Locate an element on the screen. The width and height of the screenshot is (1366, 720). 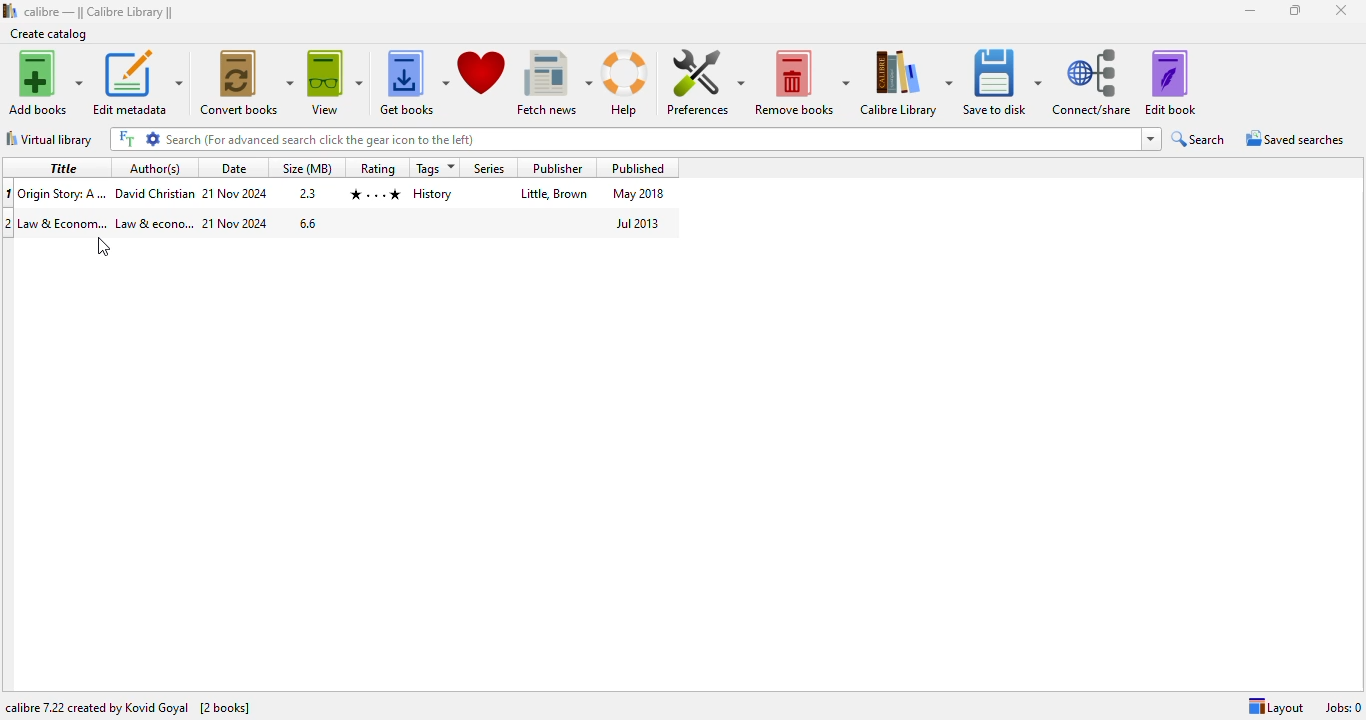
search is located at coordinates (1200, 139).